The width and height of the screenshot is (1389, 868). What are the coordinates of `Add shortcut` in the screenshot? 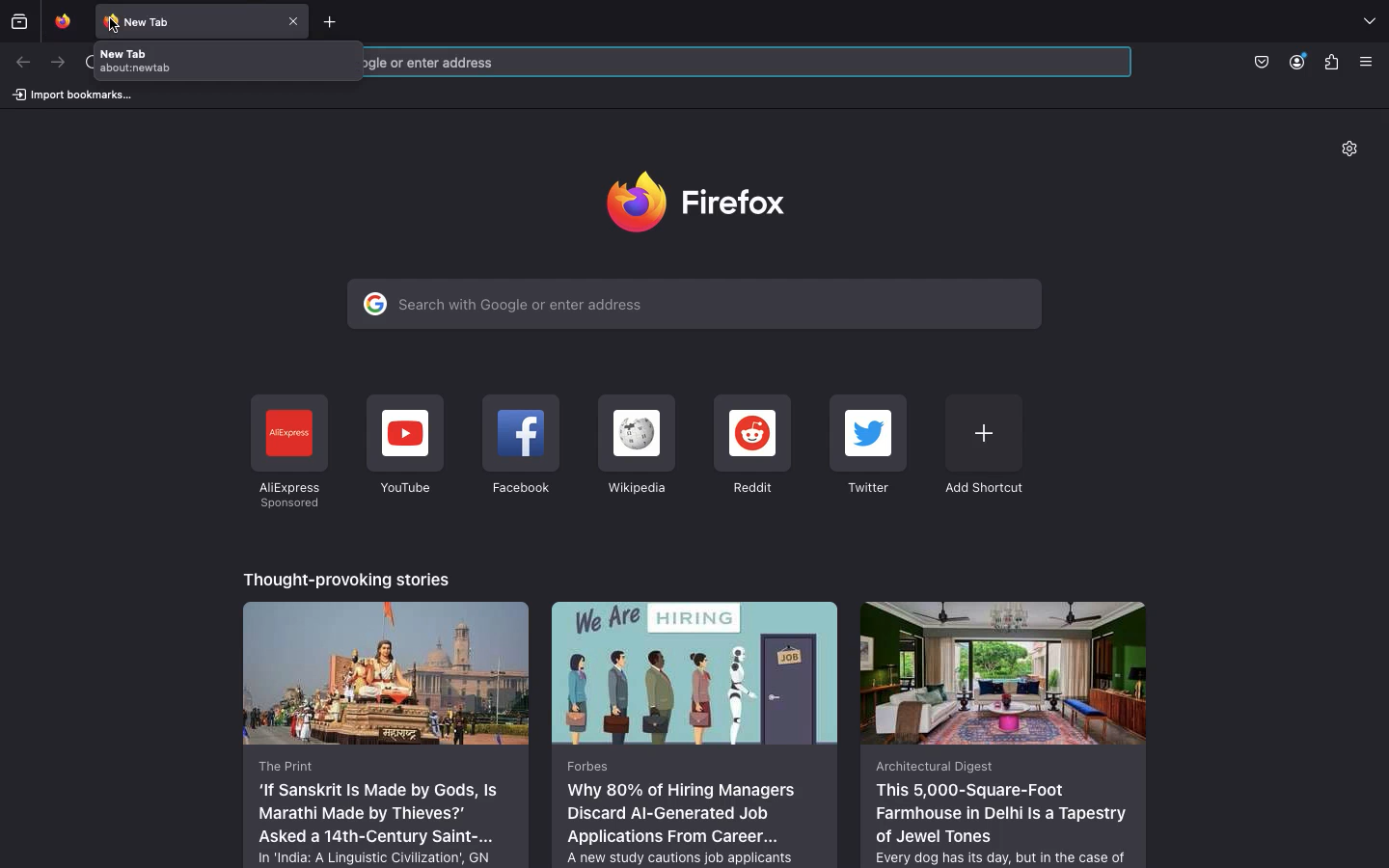 It's located at (983, 444).